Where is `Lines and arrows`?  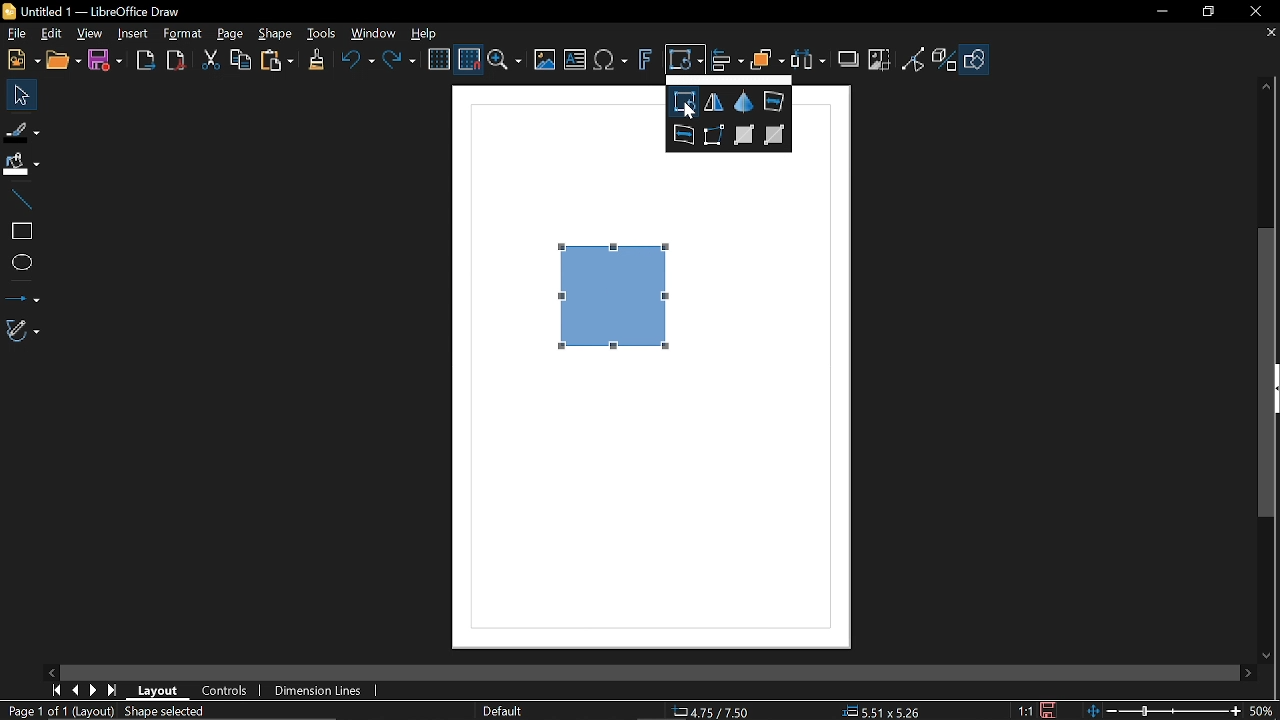
Lines and arrows is located at coordinates (22, 296).